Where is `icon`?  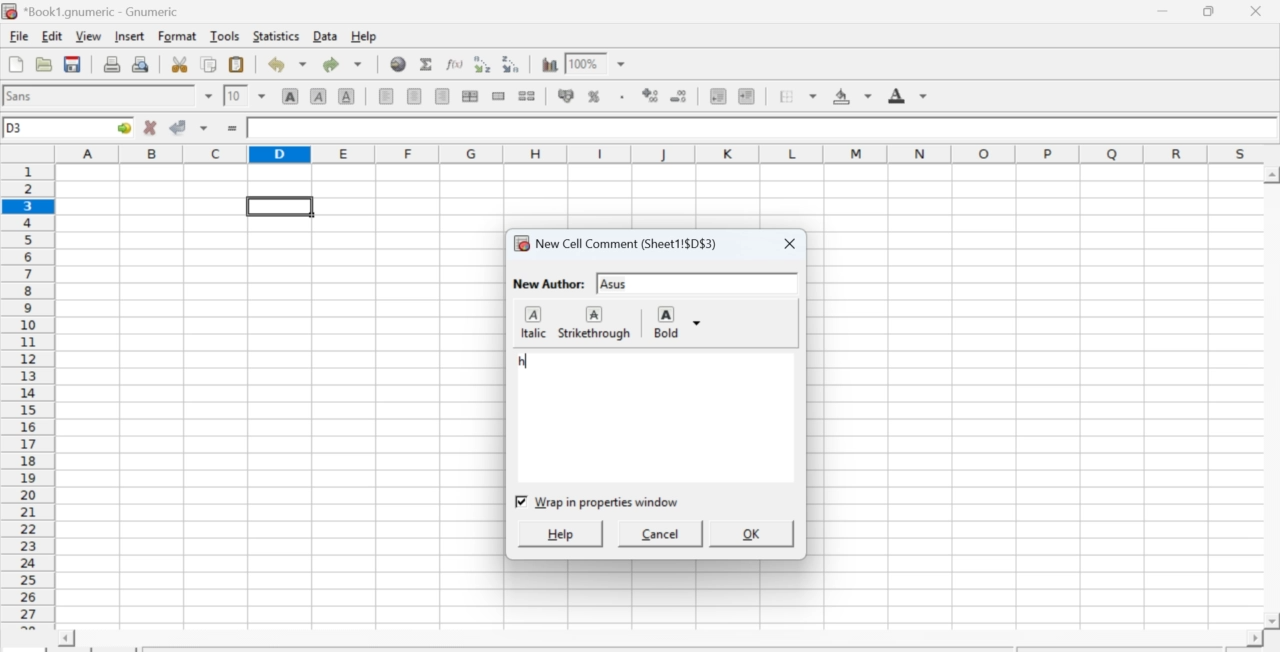 icon is located at coordinates (10, 11).